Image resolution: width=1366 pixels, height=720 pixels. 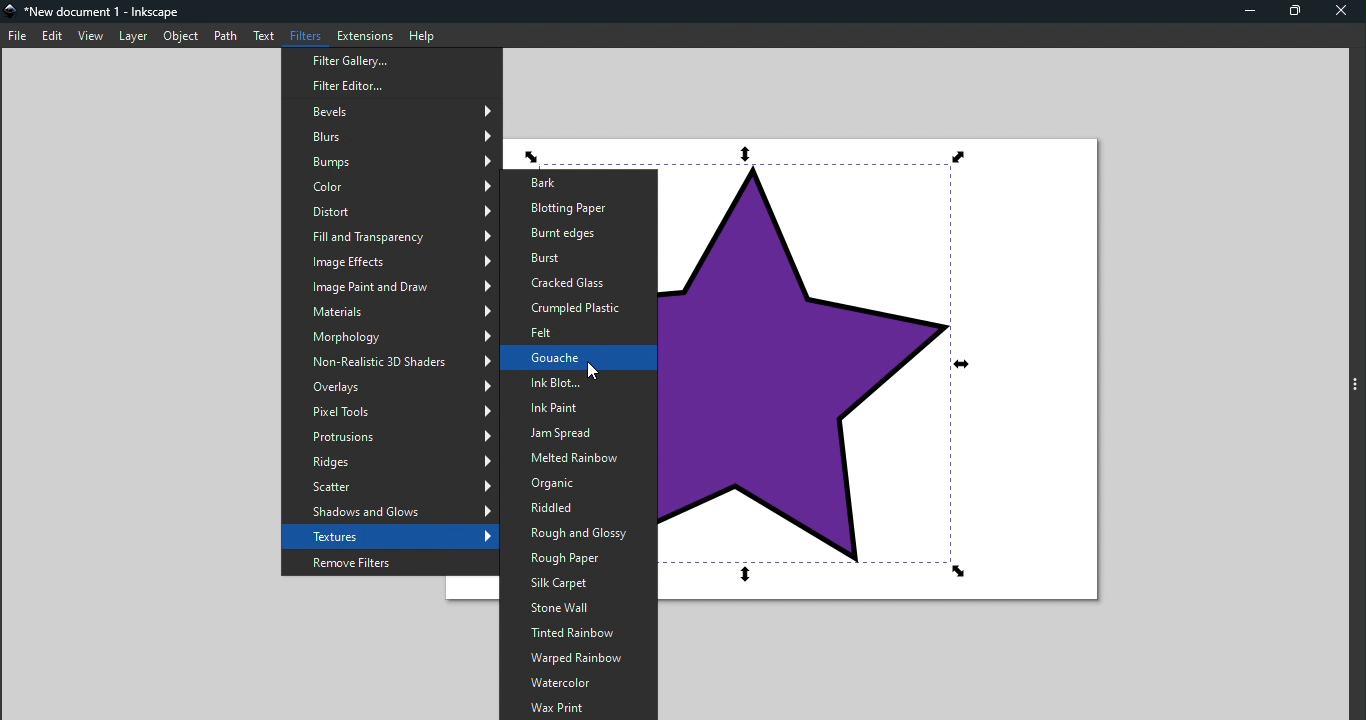 What do you see at coordinates (53, 35) in the screenshot?
I see `Edit` at bounding box center [53, 35].